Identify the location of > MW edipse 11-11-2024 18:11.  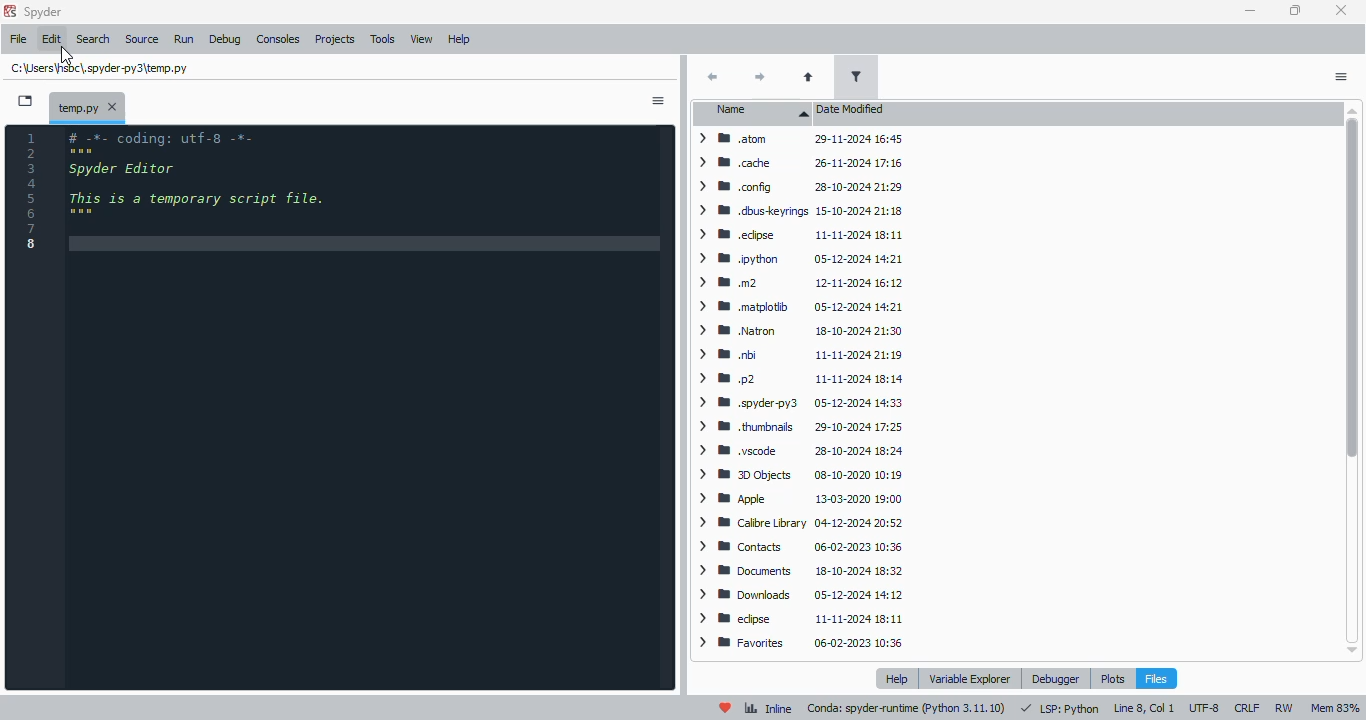
(797, 234).